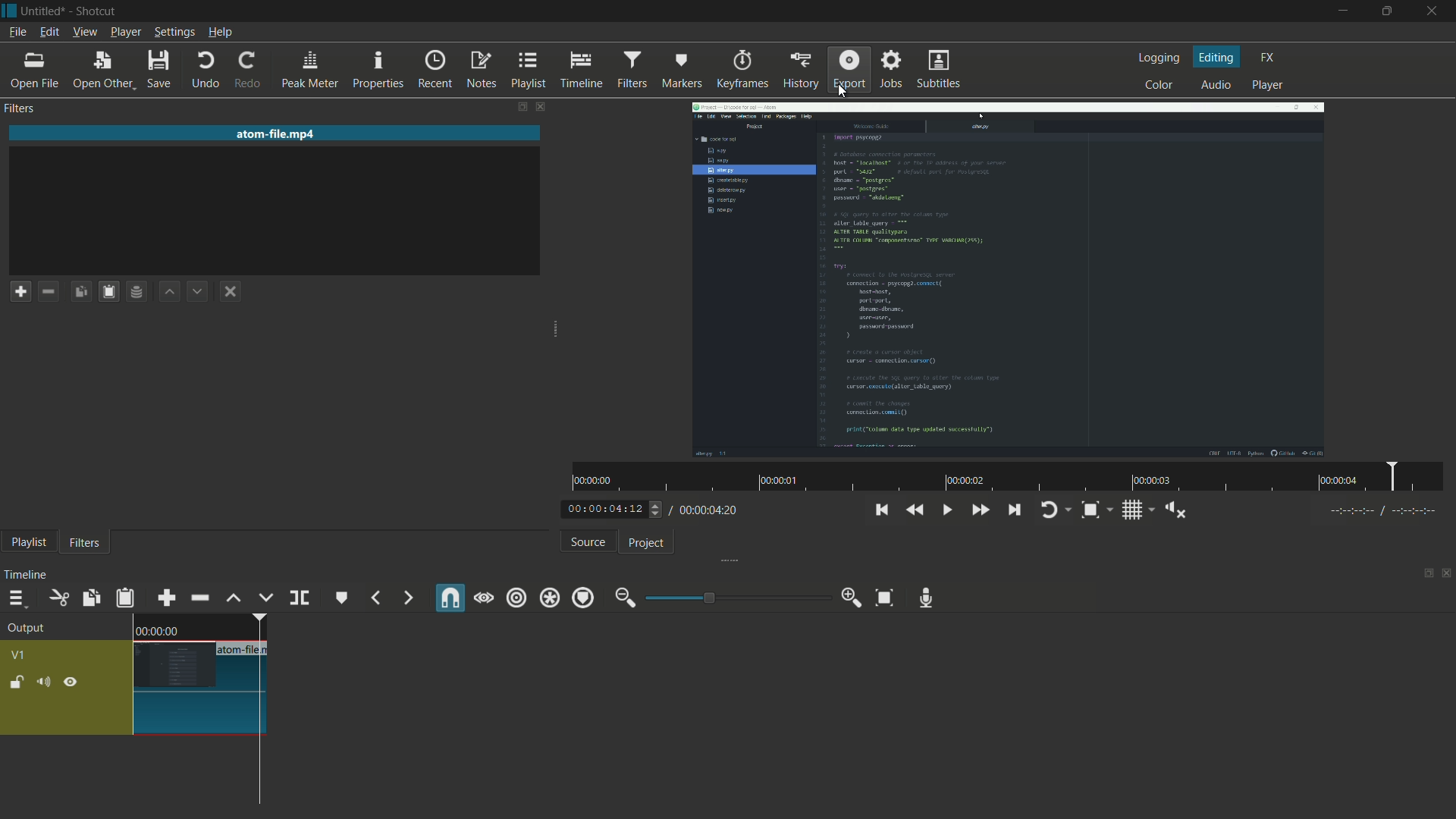  What do you see at coordinates (516, 598) in the screenshot?
I see `ripple` at bounding box center [516, 598].